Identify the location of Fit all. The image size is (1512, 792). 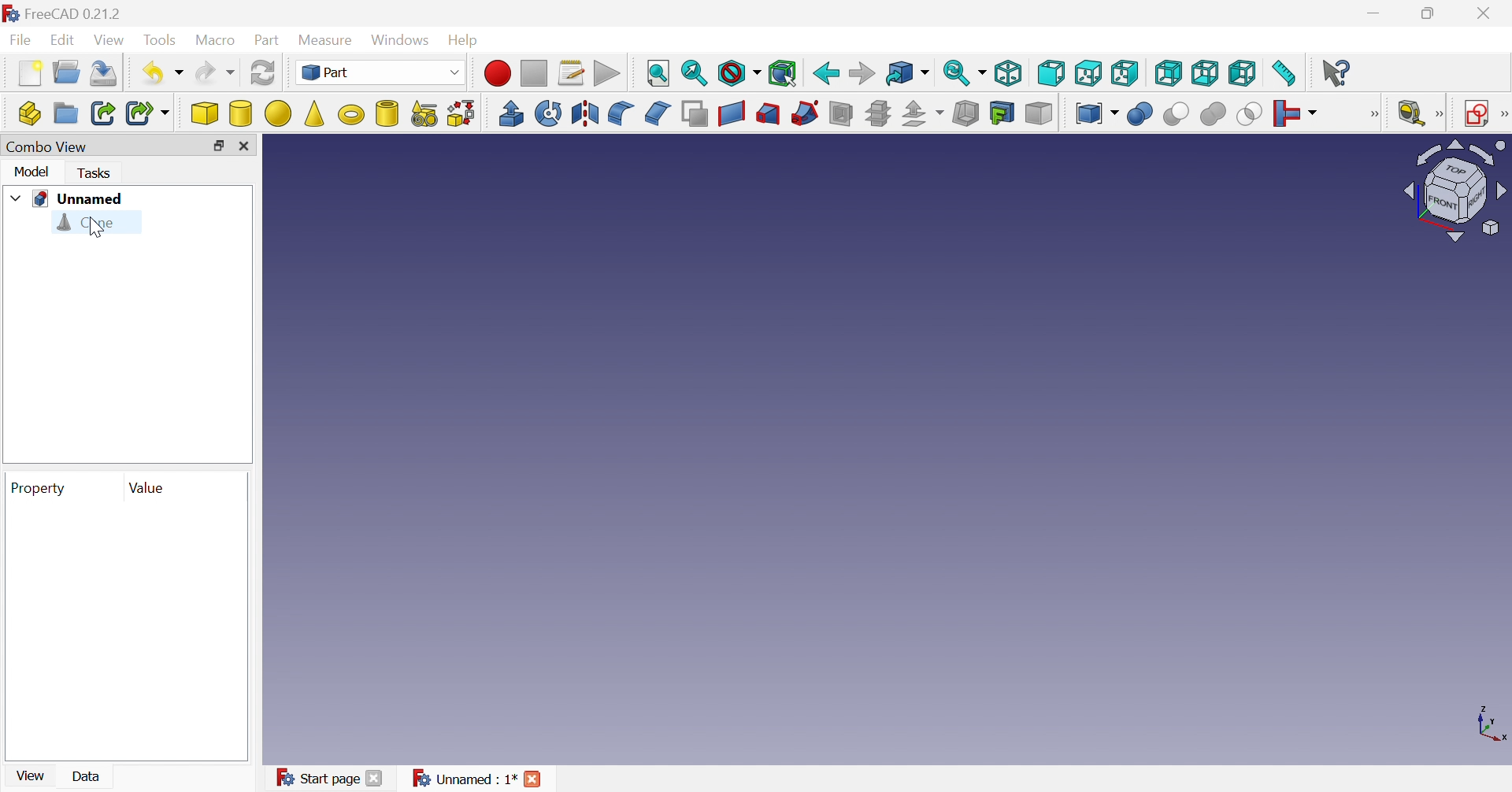
(656, 74).